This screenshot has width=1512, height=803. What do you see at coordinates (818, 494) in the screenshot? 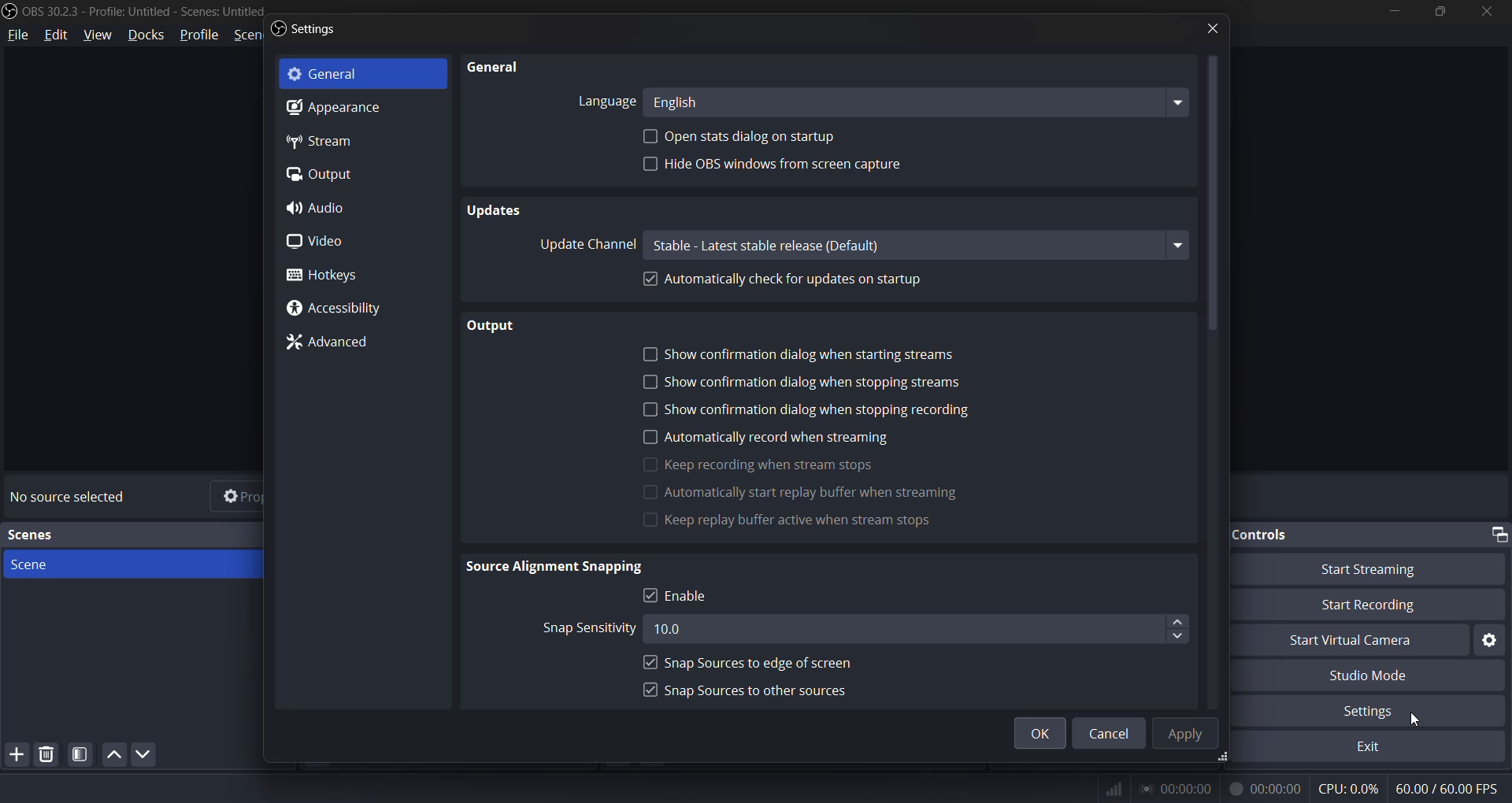
I see `automatically start replay buffer when streaming` at bounding box center [818, 494].